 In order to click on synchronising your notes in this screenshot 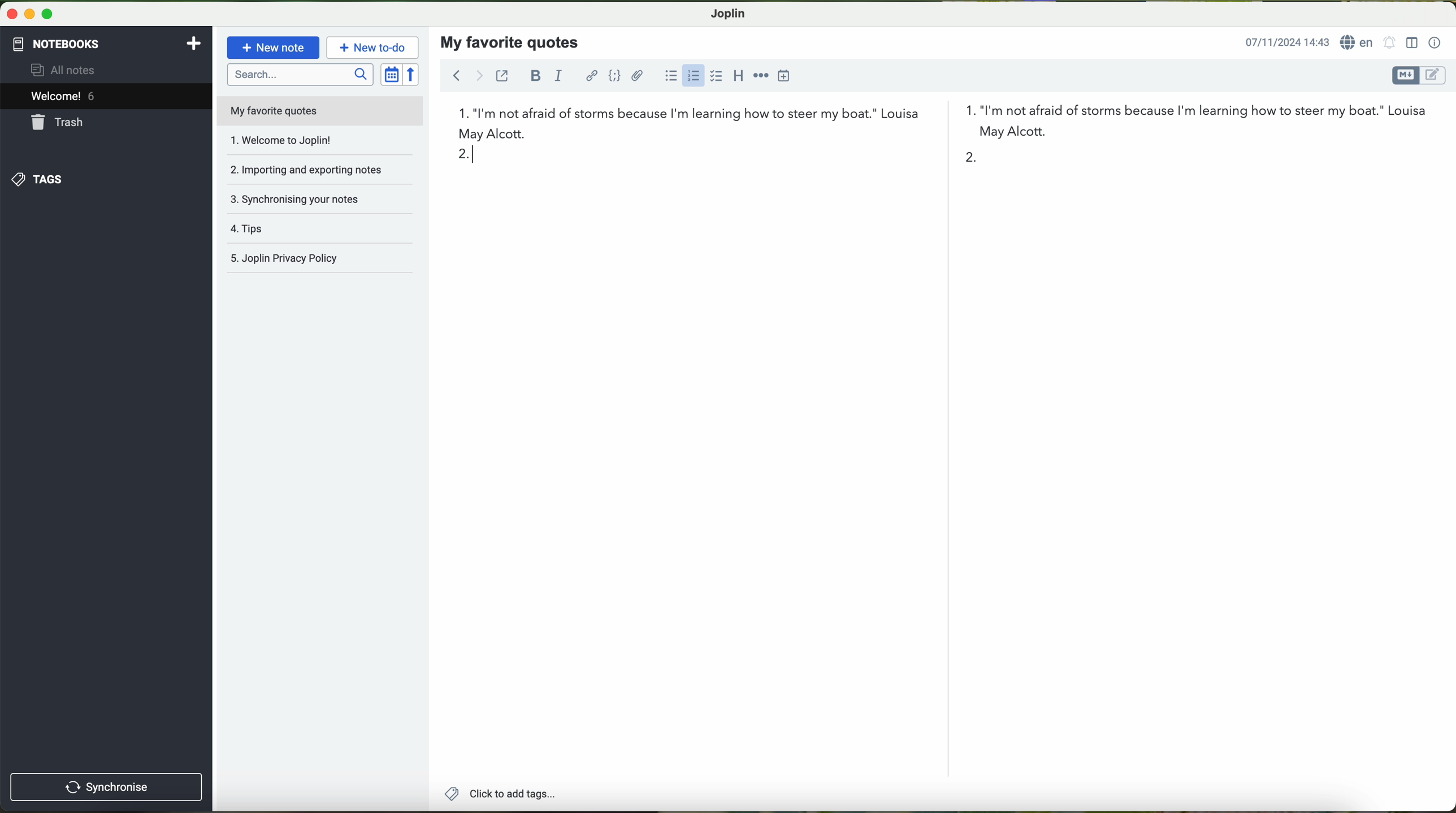, I will do `click(318, 198)`.